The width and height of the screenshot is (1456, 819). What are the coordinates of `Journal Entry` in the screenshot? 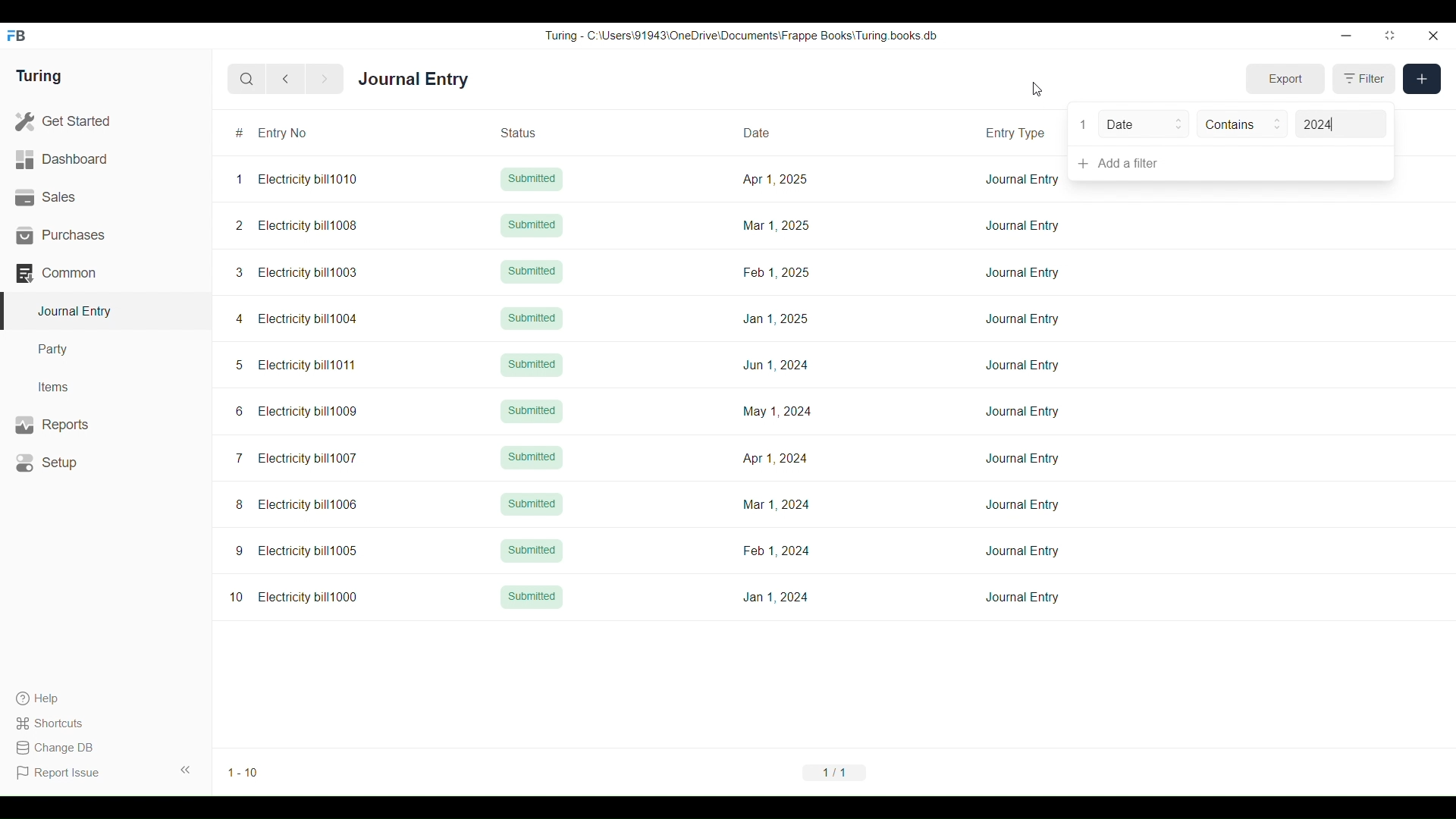 It's located at (413, 78).